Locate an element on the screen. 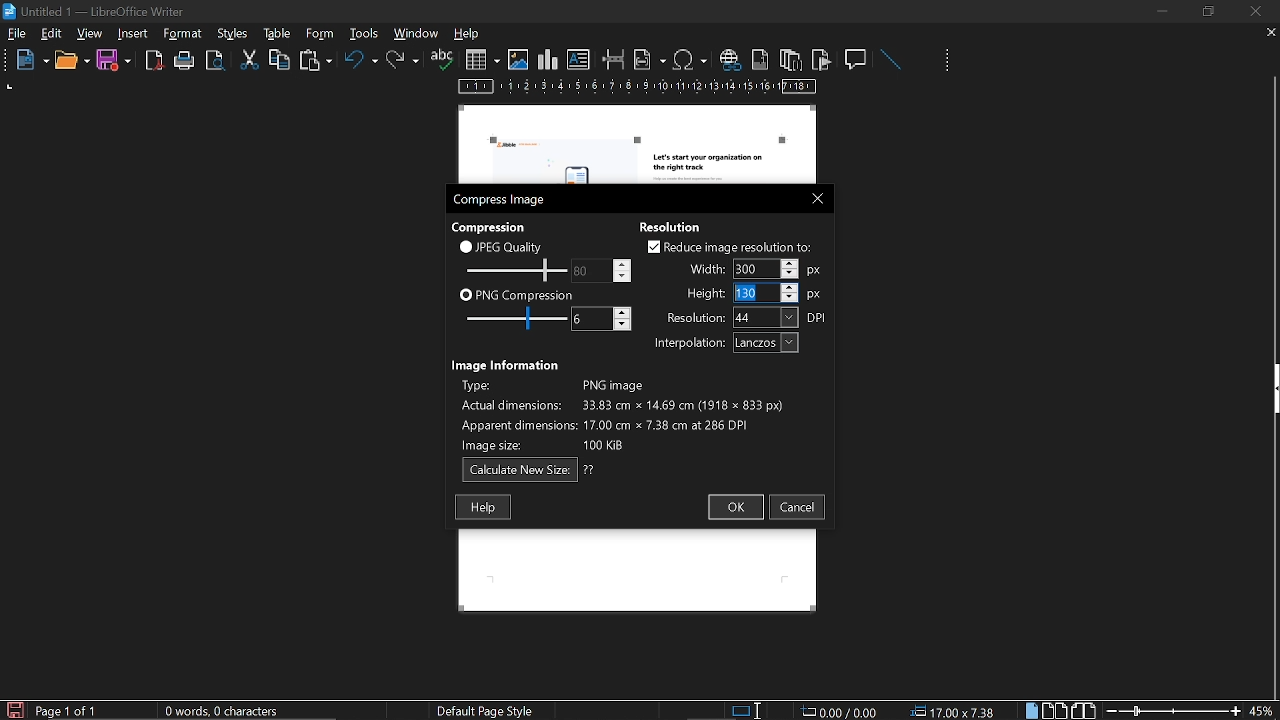 The width and height of the screenshot is (1280, 720). jpeg quality is located at coordinates (502, 246).